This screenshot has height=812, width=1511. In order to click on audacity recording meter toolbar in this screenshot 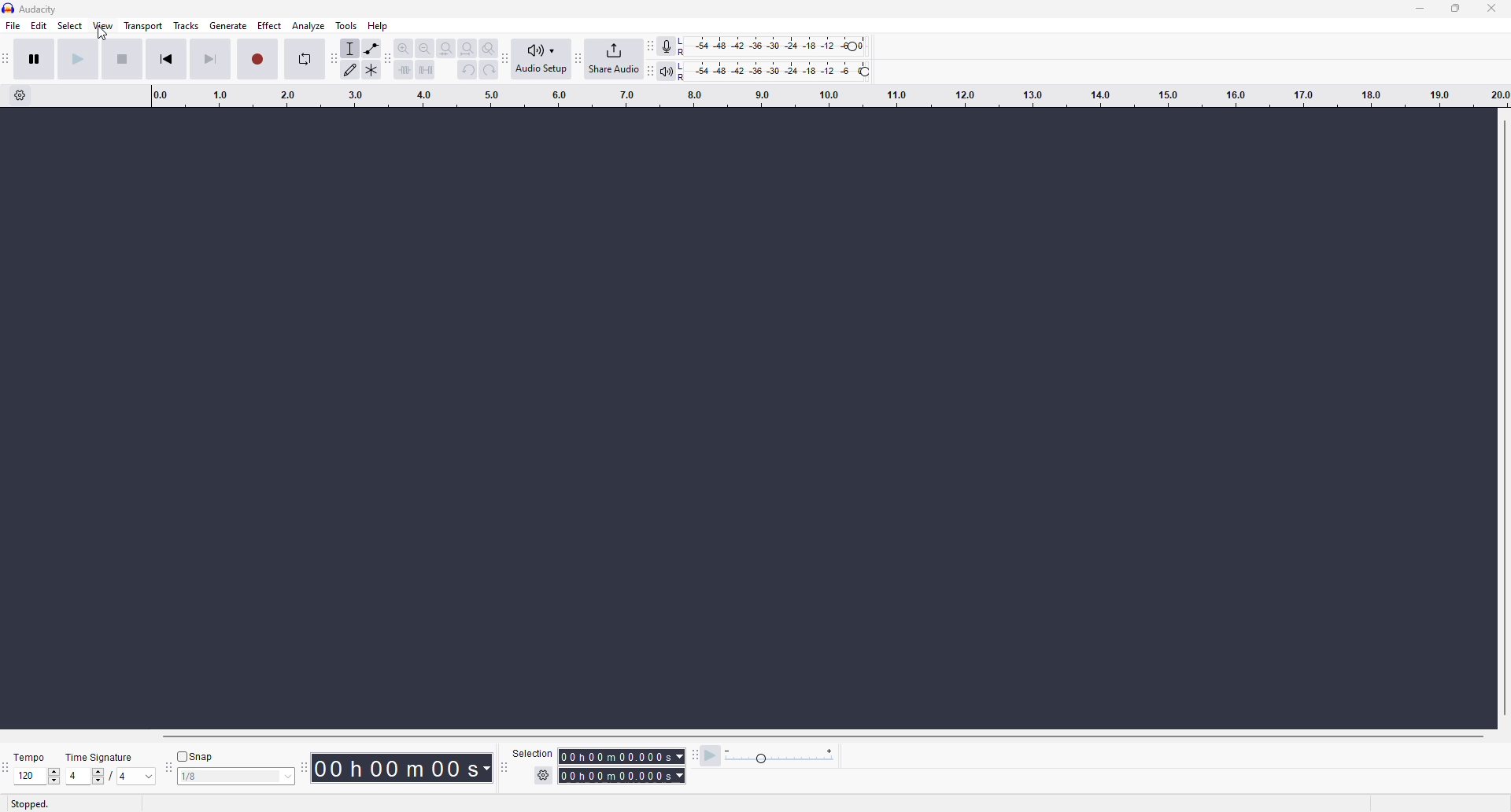, I will do `click(652, 46)`.